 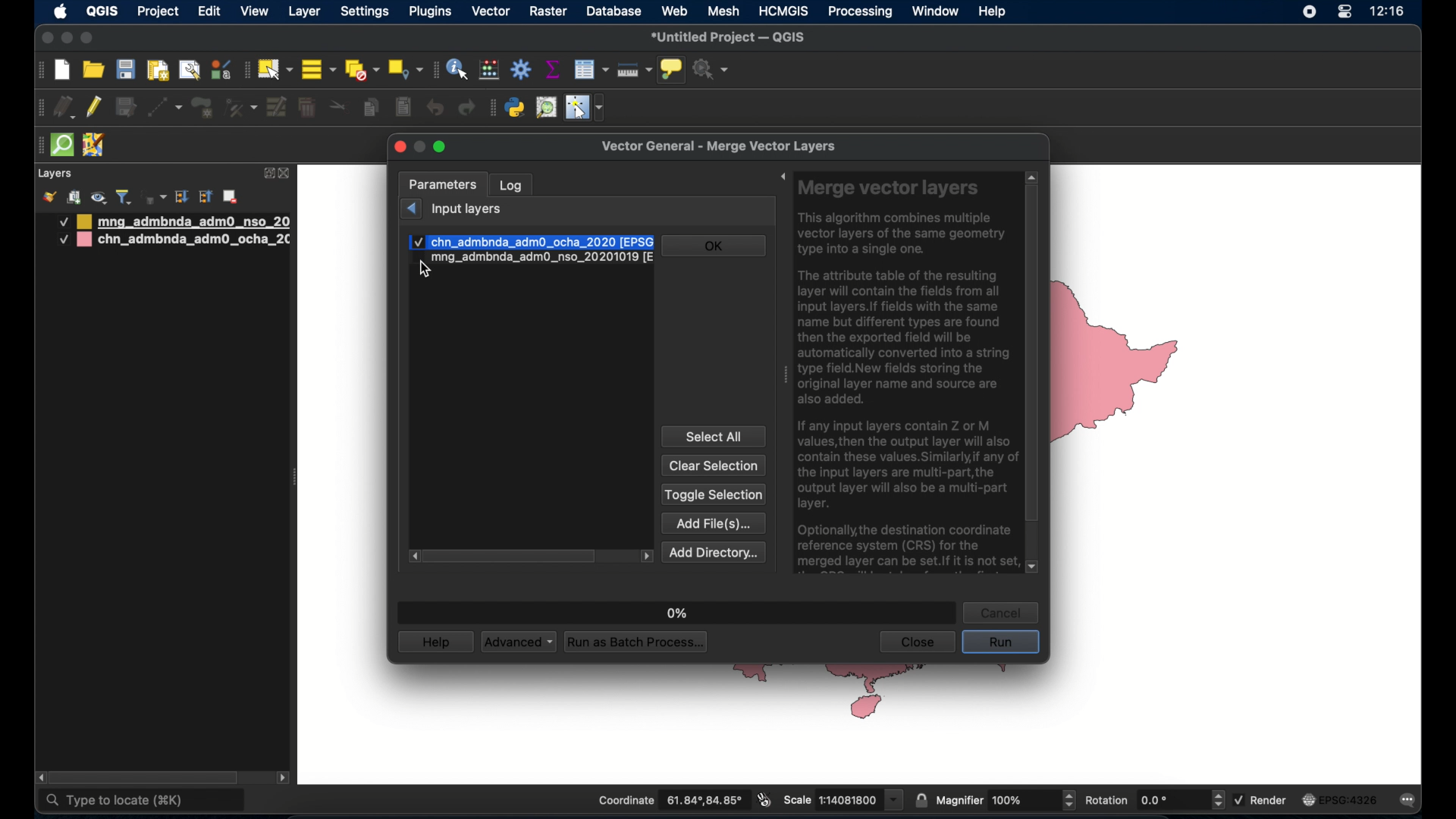 What do you see at coordinates (66, 109) in the screenshot?
I see `current edits` at bounding box center [66, 109].